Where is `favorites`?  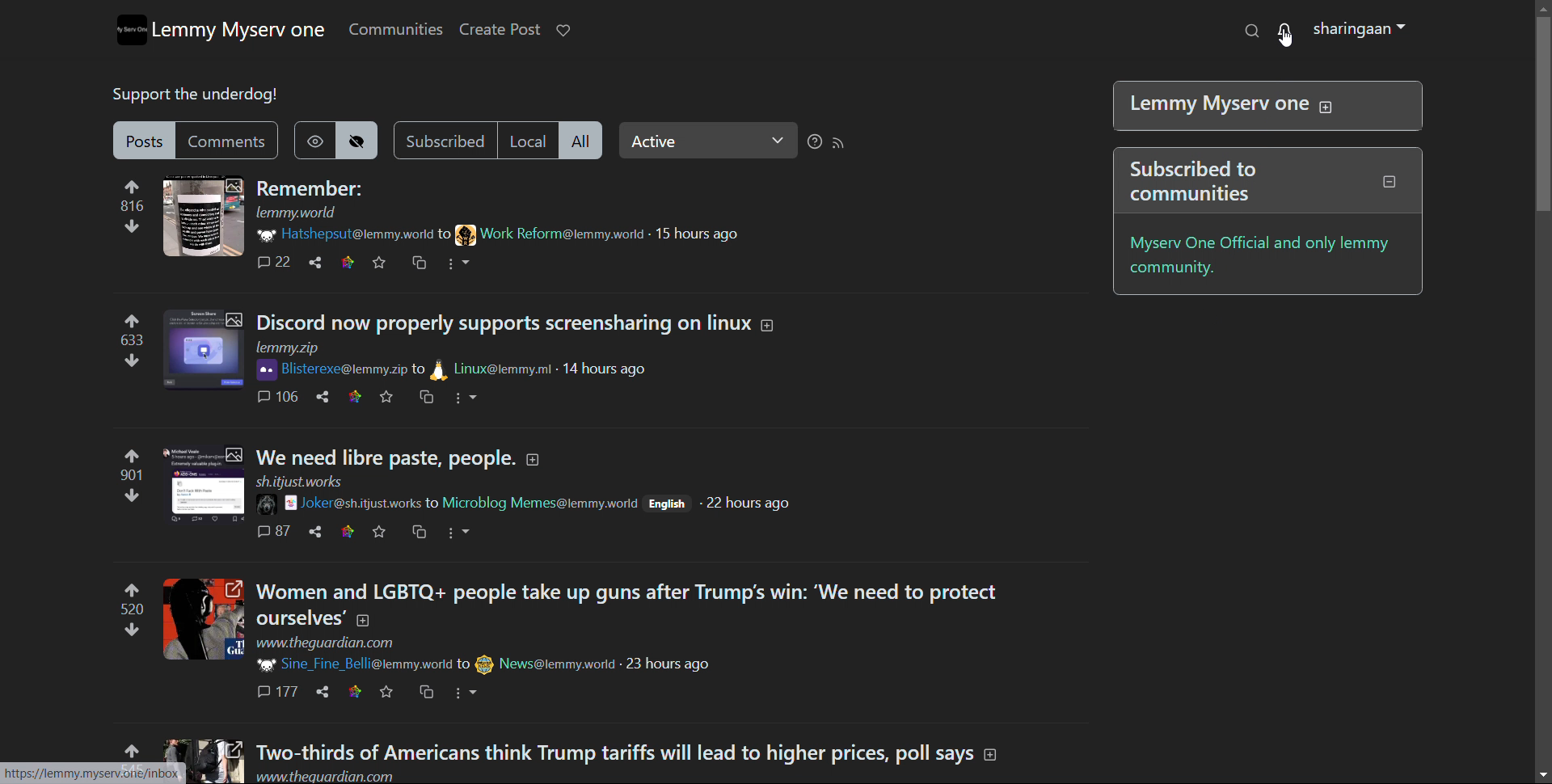
favorites is located at coordinates (378, 263).